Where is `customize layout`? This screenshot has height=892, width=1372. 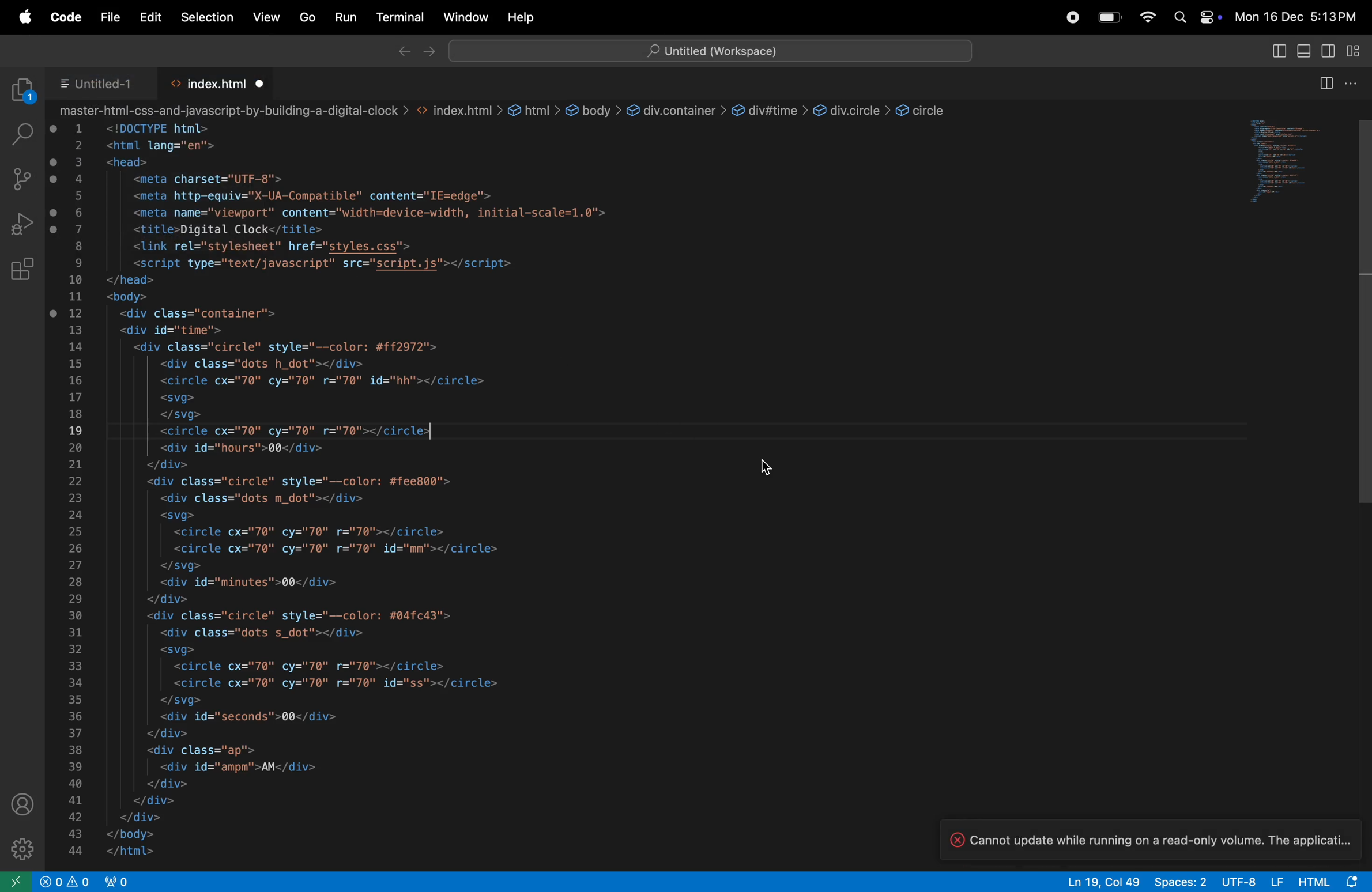 customize layout is located at coordinates (1354, 50).